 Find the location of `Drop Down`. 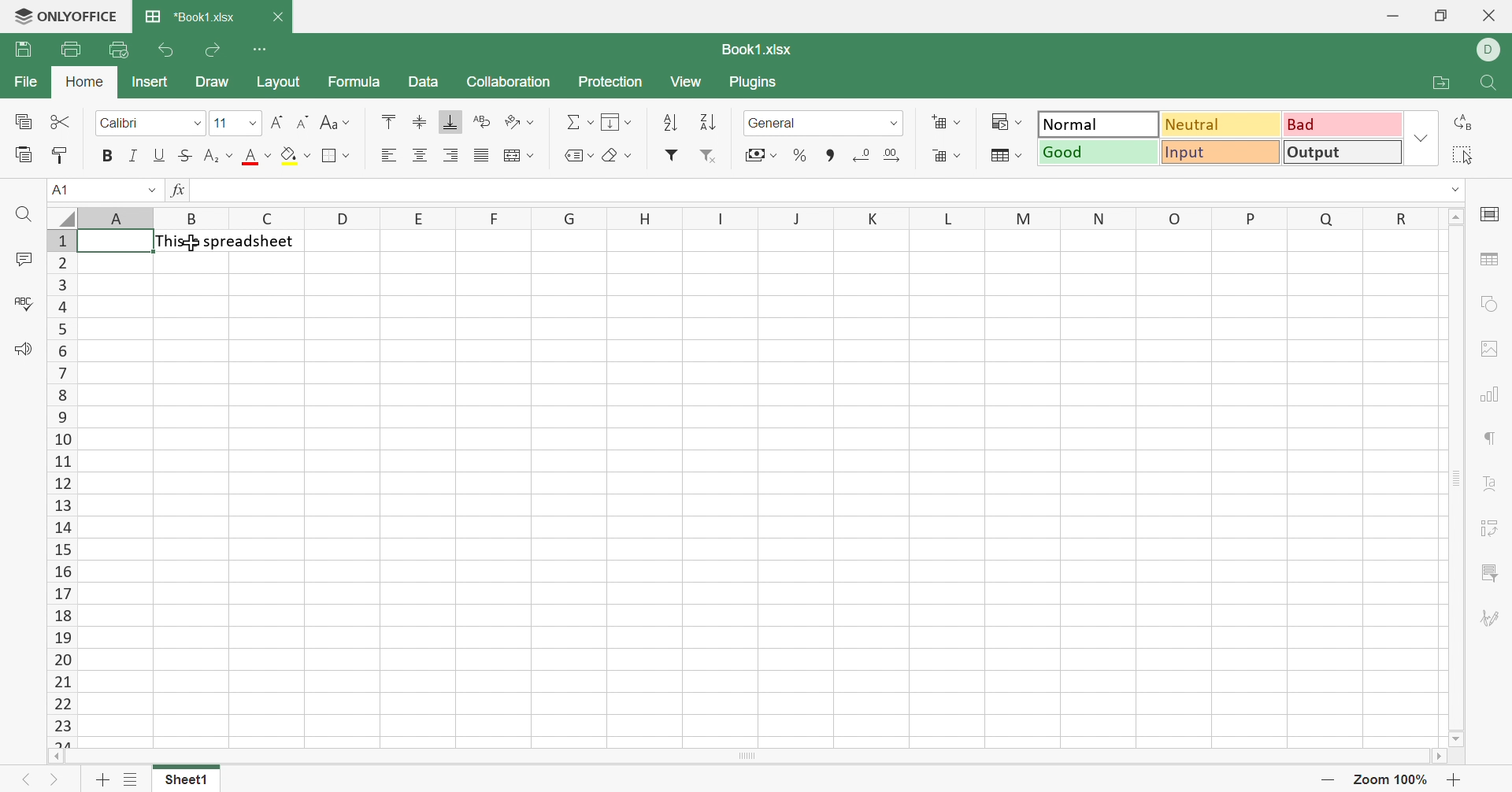

Drop Down is located at coordinates (591, 155).